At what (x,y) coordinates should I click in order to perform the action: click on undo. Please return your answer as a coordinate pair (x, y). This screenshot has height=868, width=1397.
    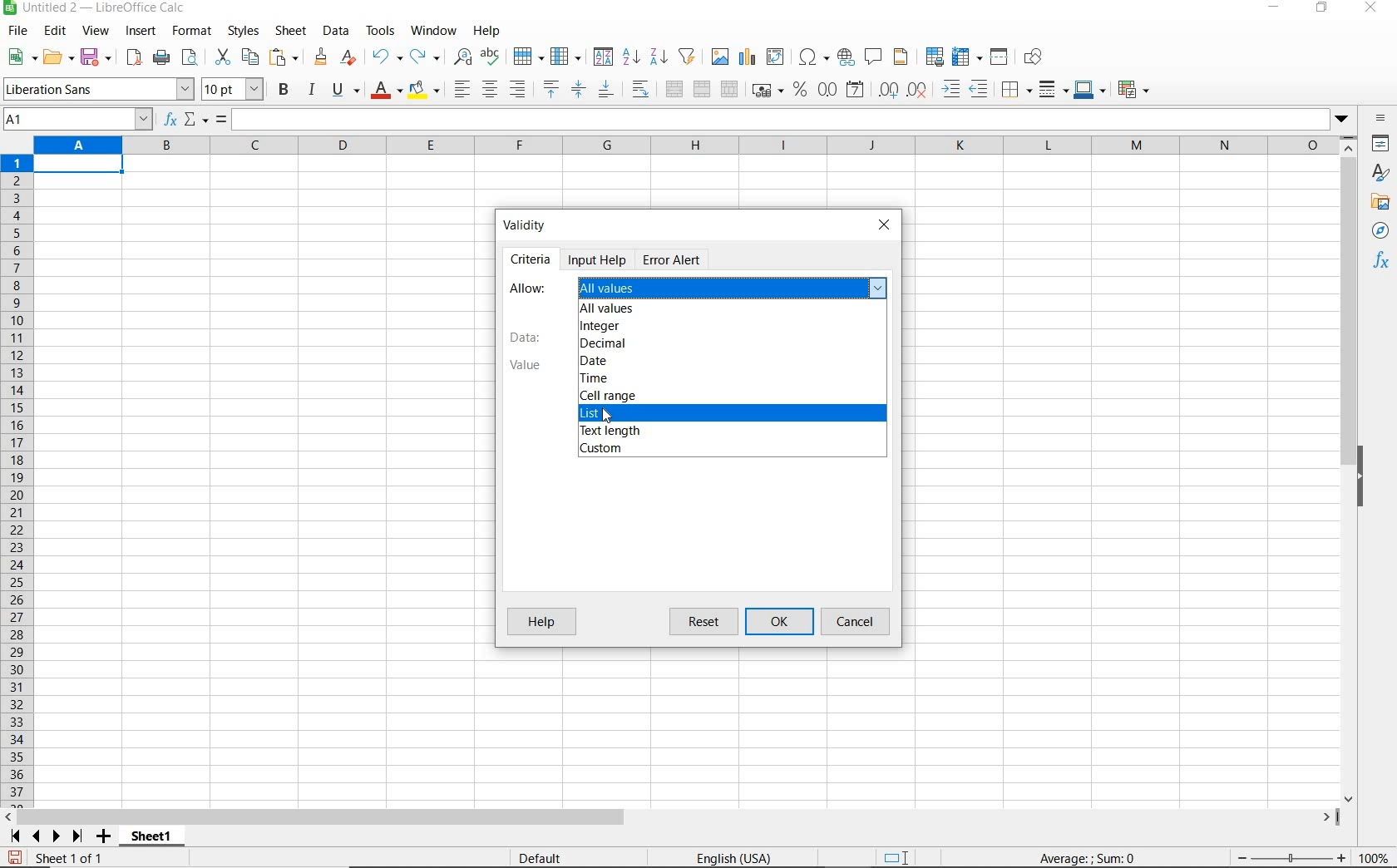
    Looking at the image, I should click on (386, 57).